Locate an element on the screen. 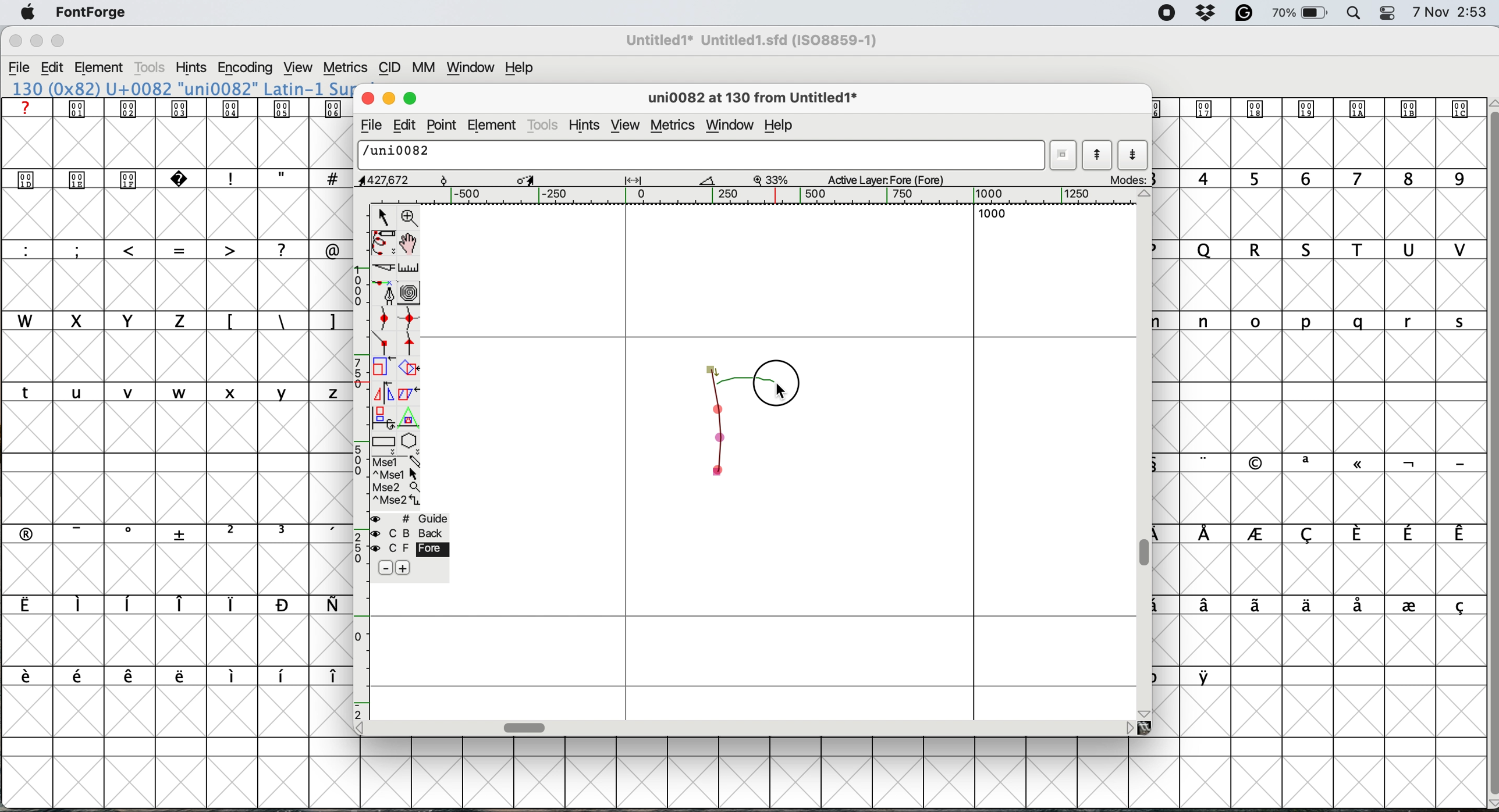 This screenshot has width=1499, height=812. date and time is located at coordinates (1450, 13).